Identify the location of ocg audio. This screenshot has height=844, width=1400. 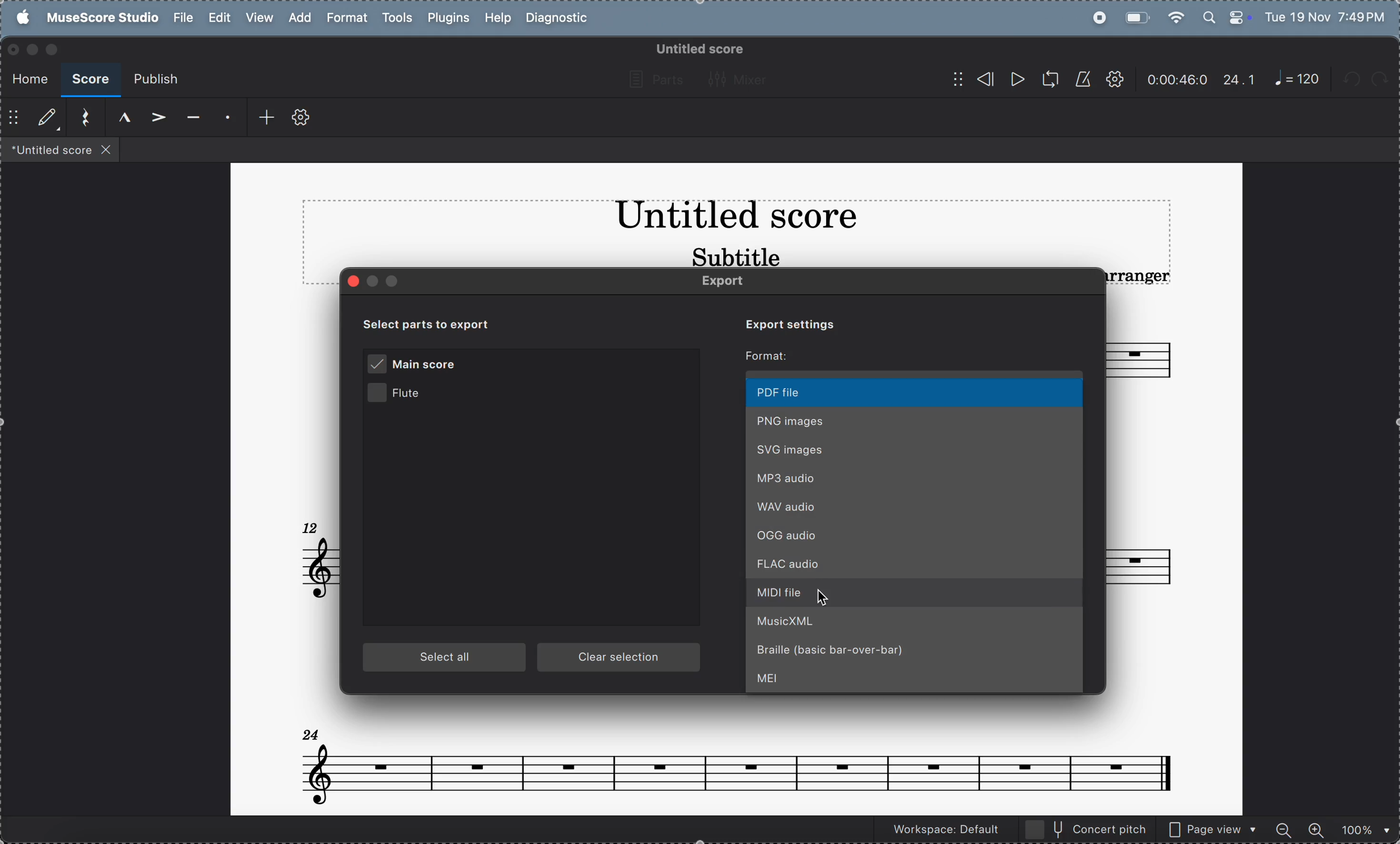
(916, 538).